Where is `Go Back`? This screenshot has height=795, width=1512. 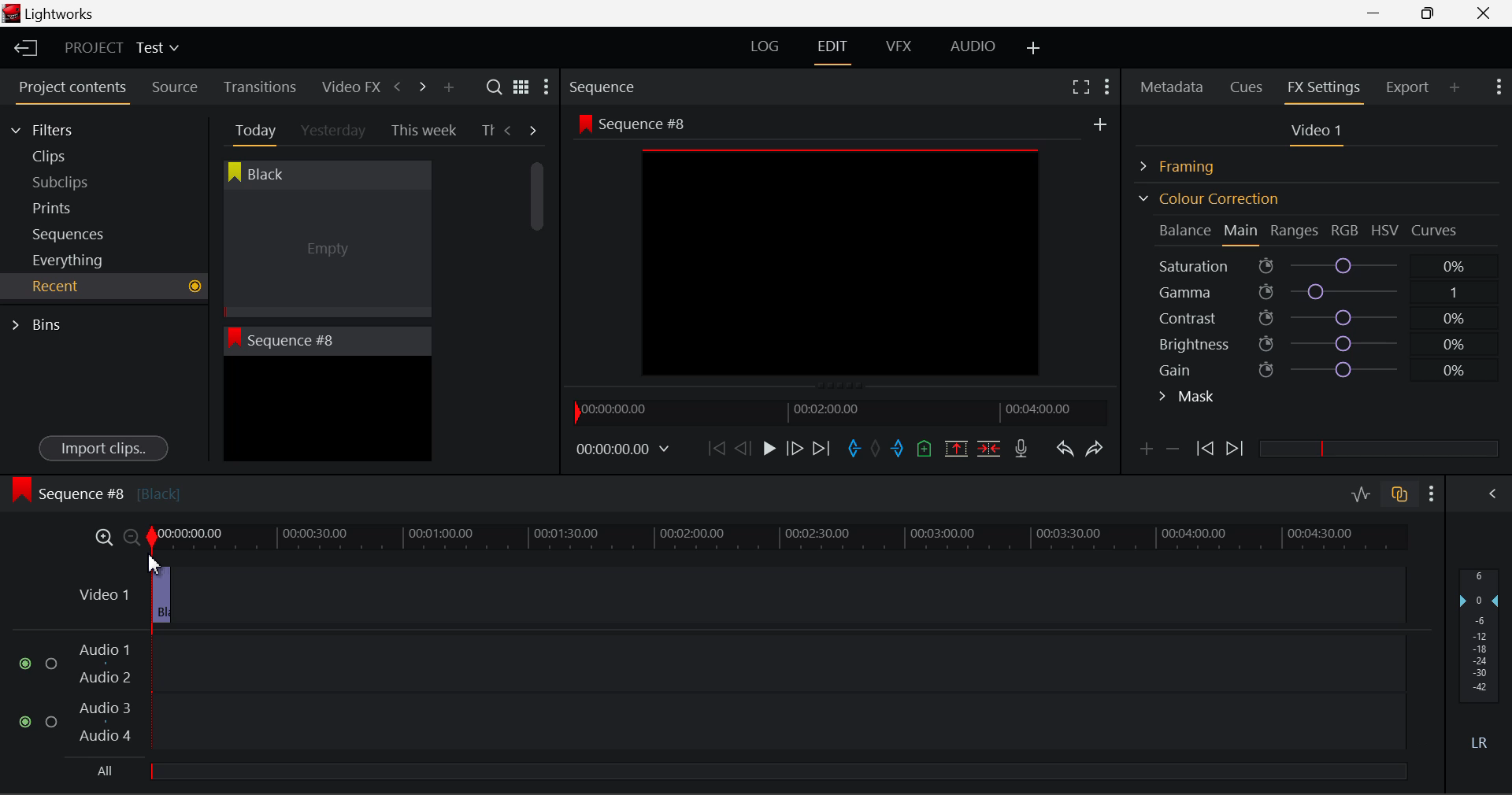
Go Back is located at coordinates (745, 447).